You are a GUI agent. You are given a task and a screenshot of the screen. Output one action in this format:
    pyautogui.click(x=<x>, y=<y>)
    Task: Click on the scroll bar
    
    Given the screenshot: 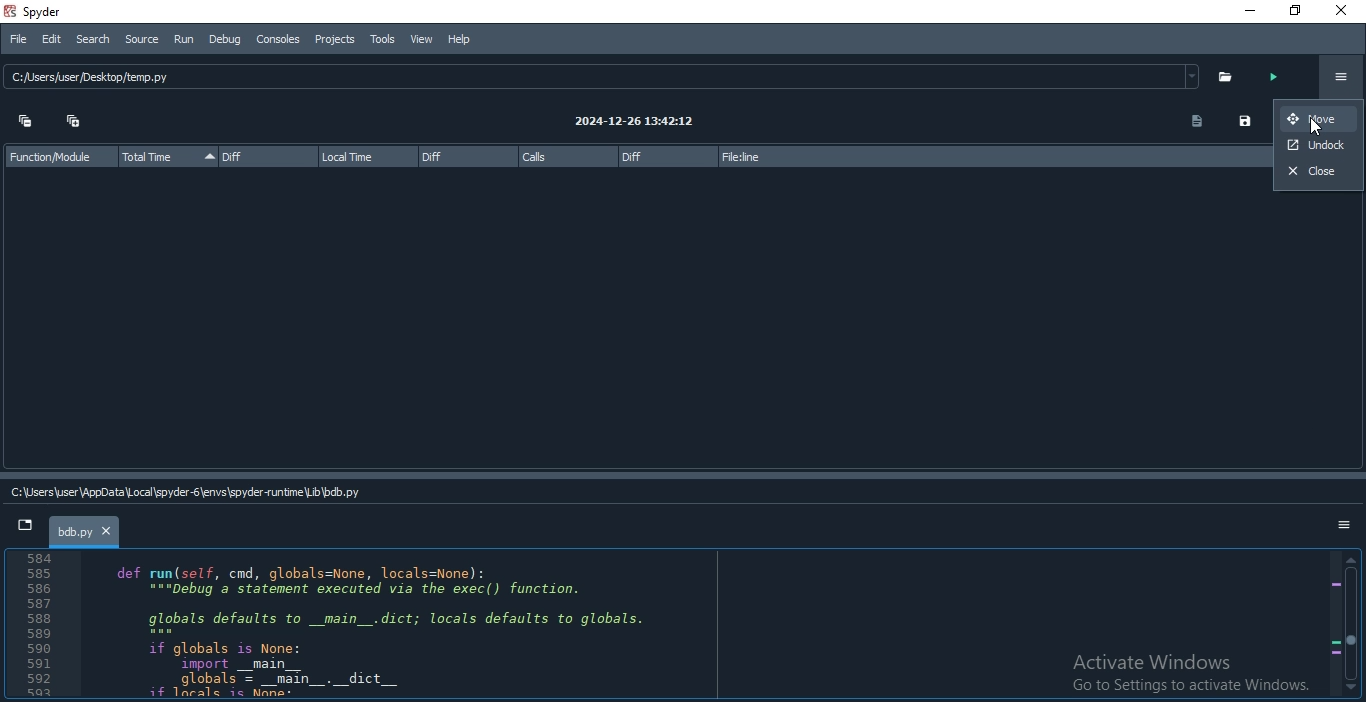 What is the action you would take?
    pyautogui.click(x=1351, y=626)
    